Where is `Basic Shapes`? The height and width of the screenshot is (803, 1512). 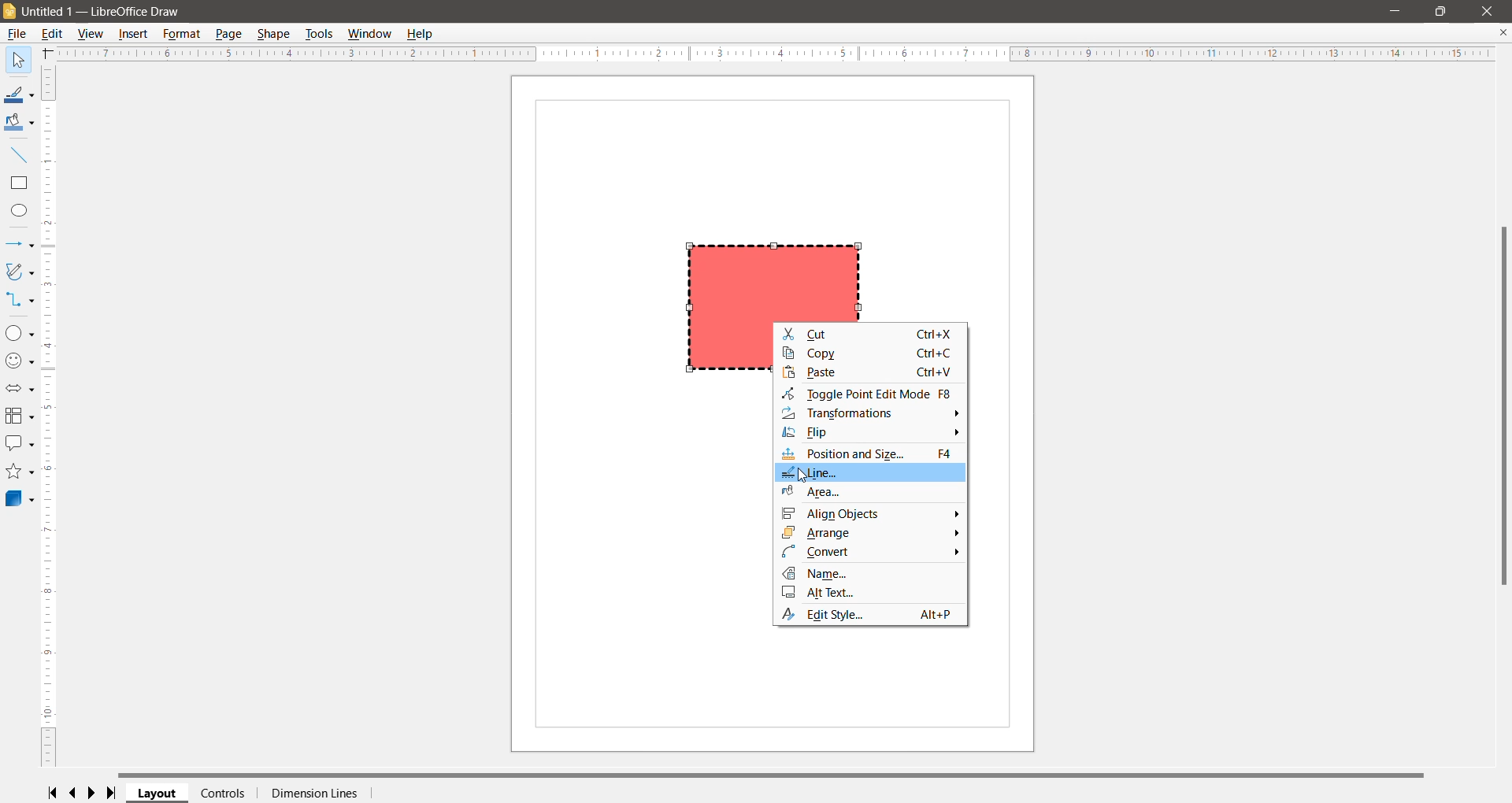 Basic Shapes is located at coordinates (20, 333).